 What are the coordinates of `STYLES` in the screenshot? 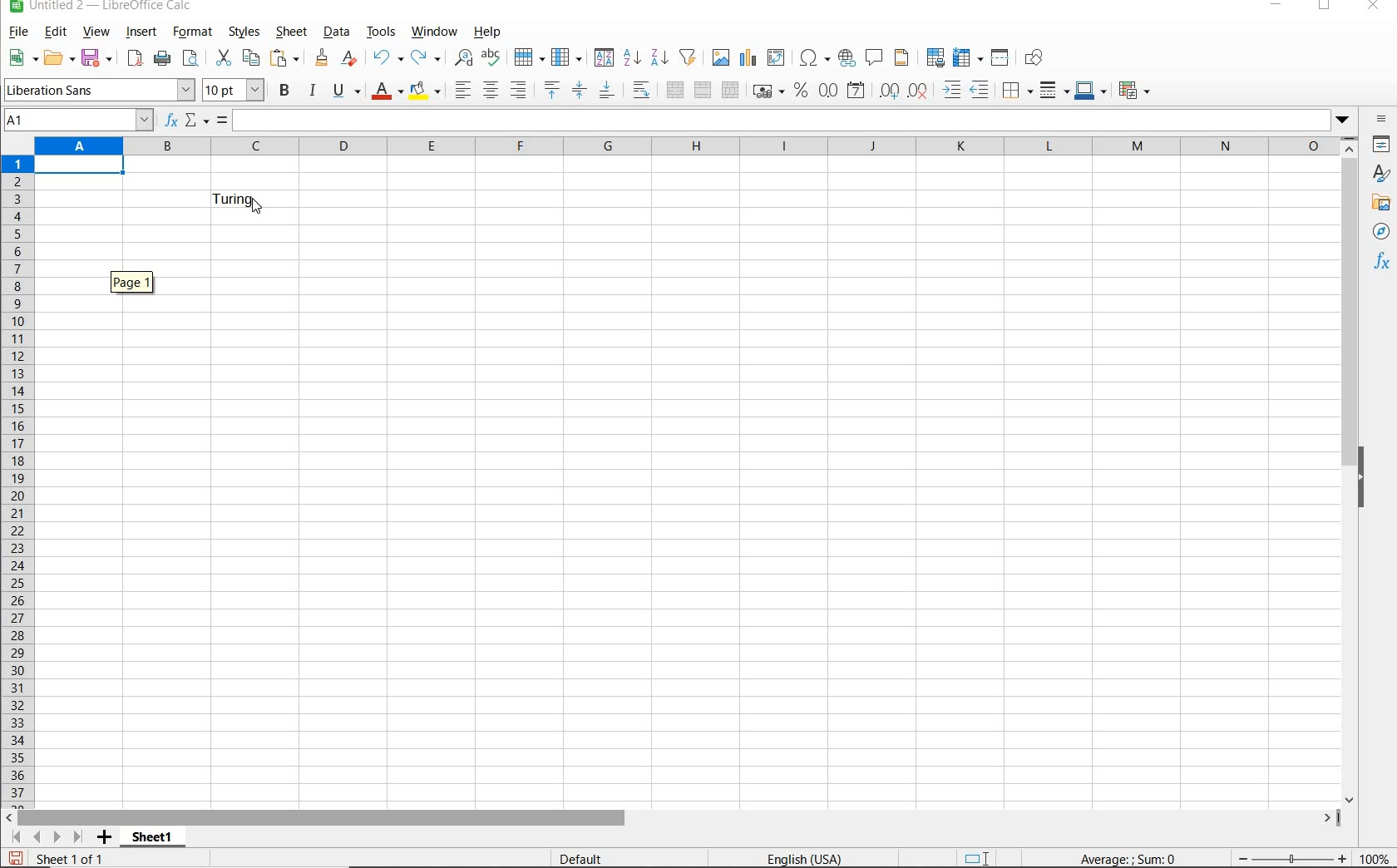 It's located at (243, 34).